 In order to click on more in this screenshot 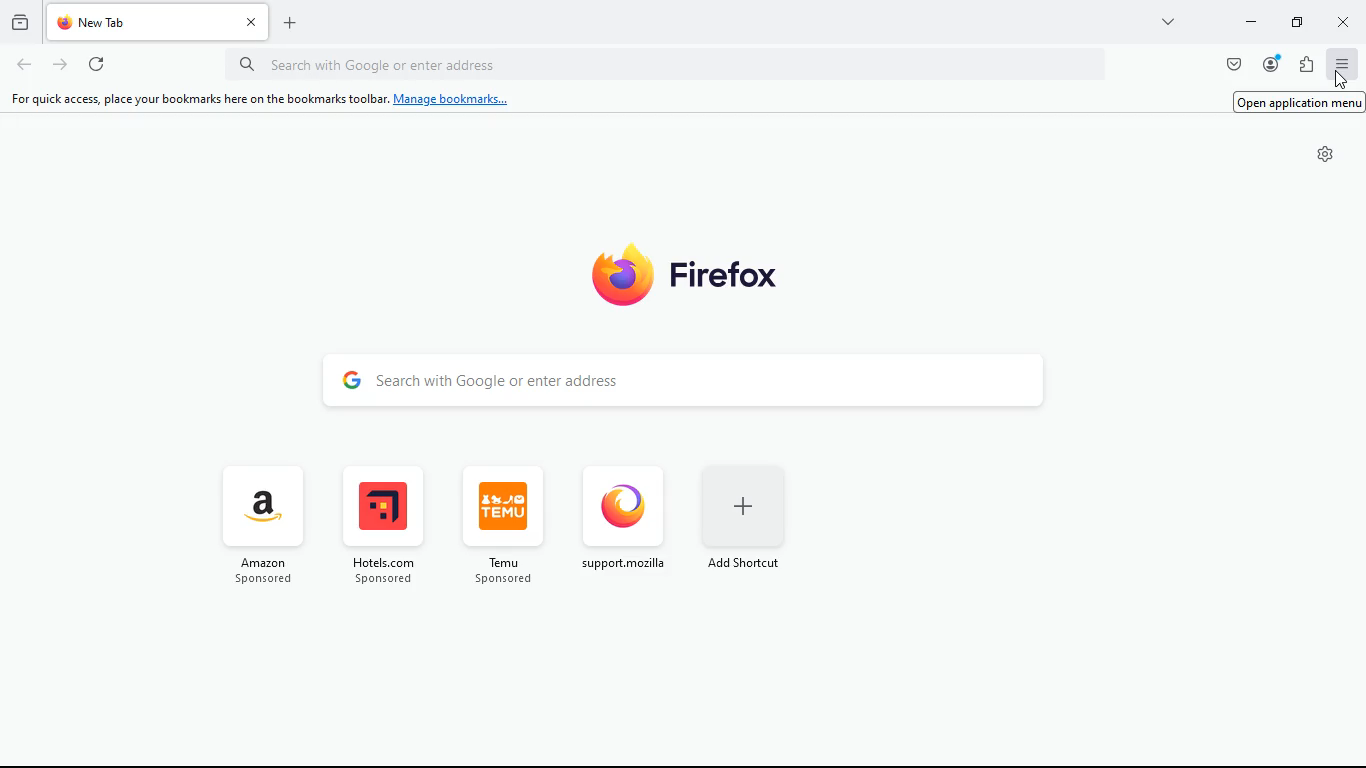, I will do `click(1169, 24)`.